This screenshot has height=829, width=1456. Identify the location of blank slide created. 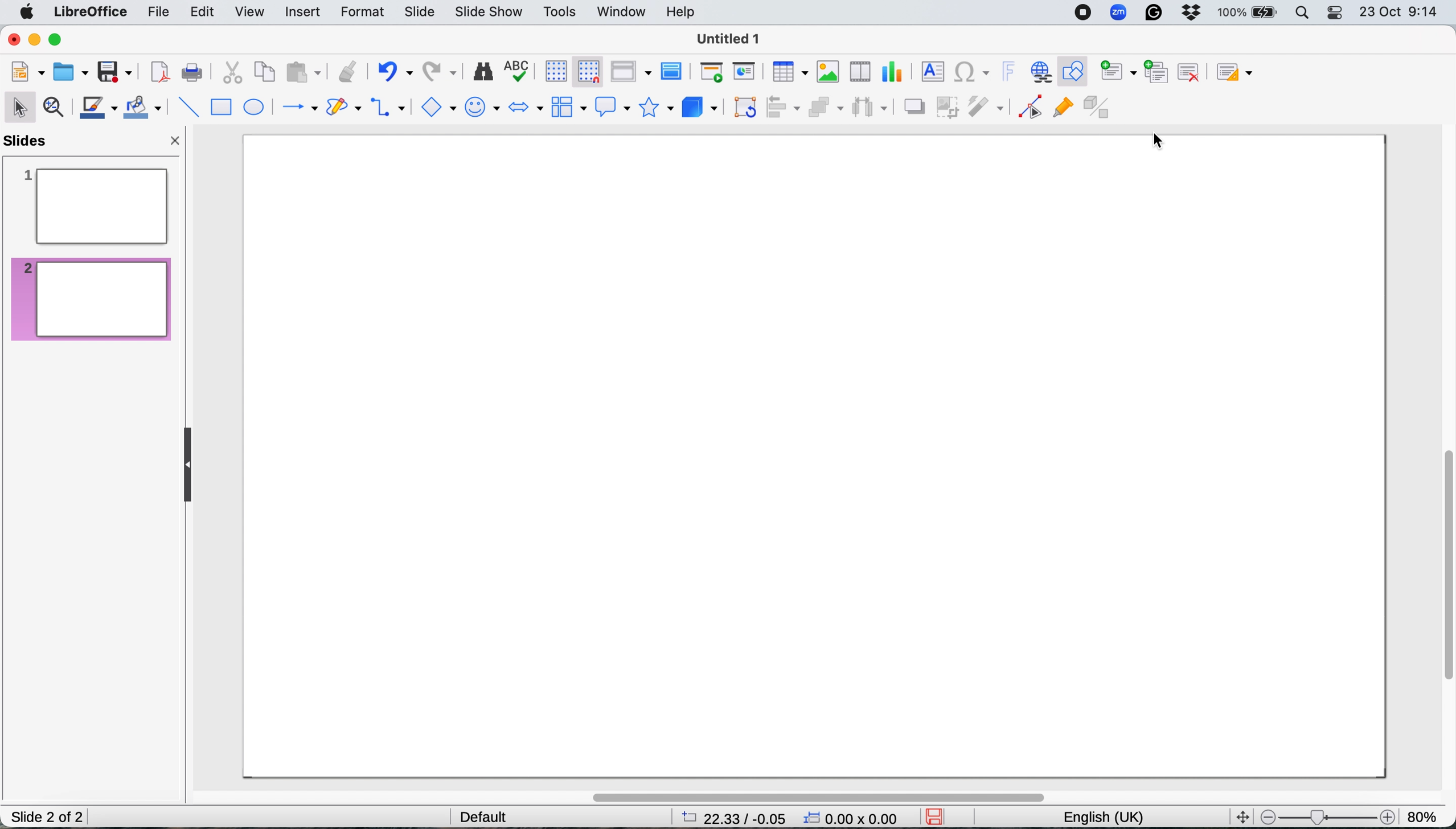
(95, 299).